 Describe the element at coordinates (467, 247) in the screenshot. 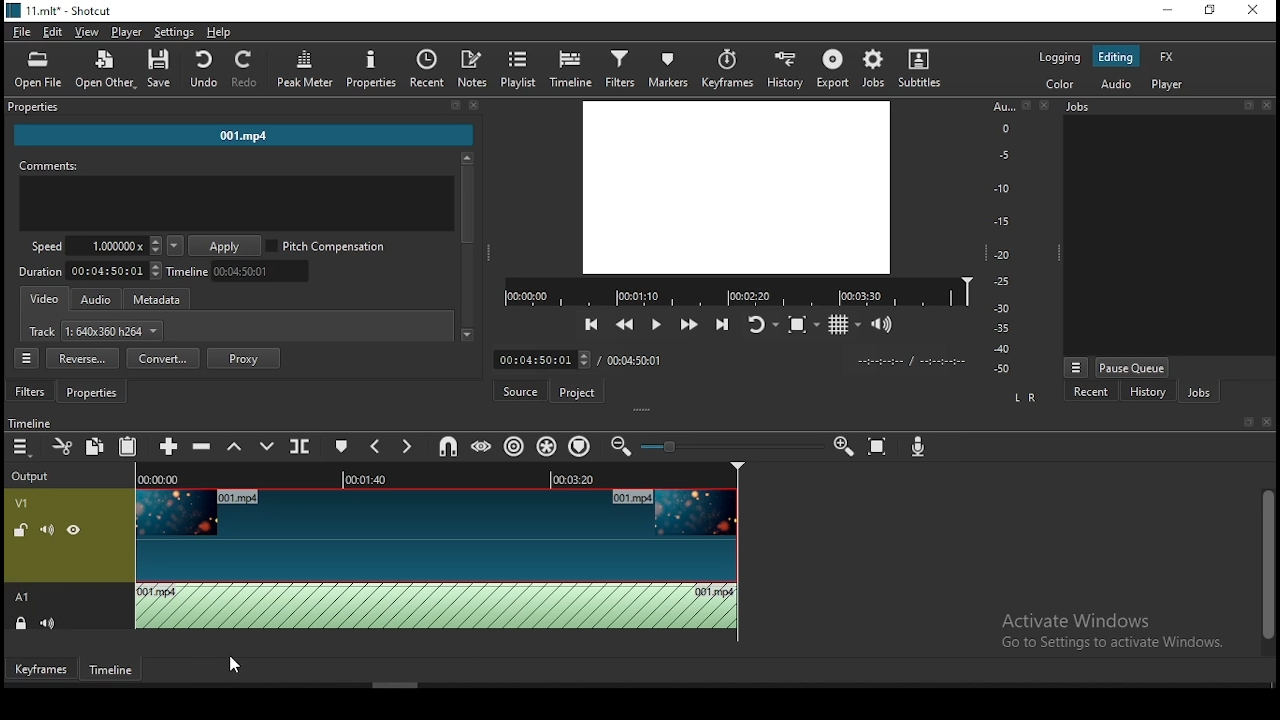

I see `scrollbar` at that location.